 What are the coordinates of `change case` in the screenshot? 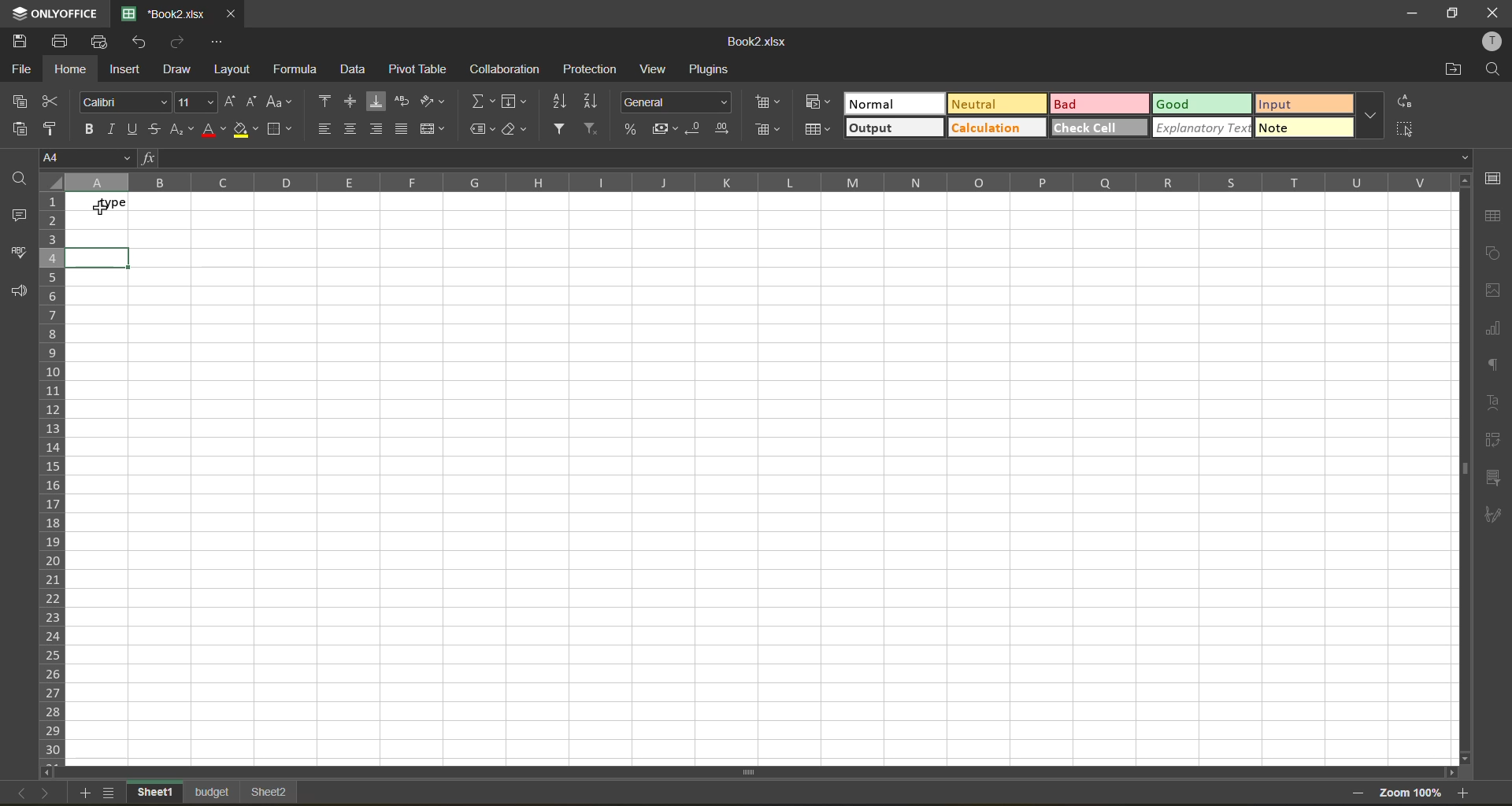 It's located at (279, 103).